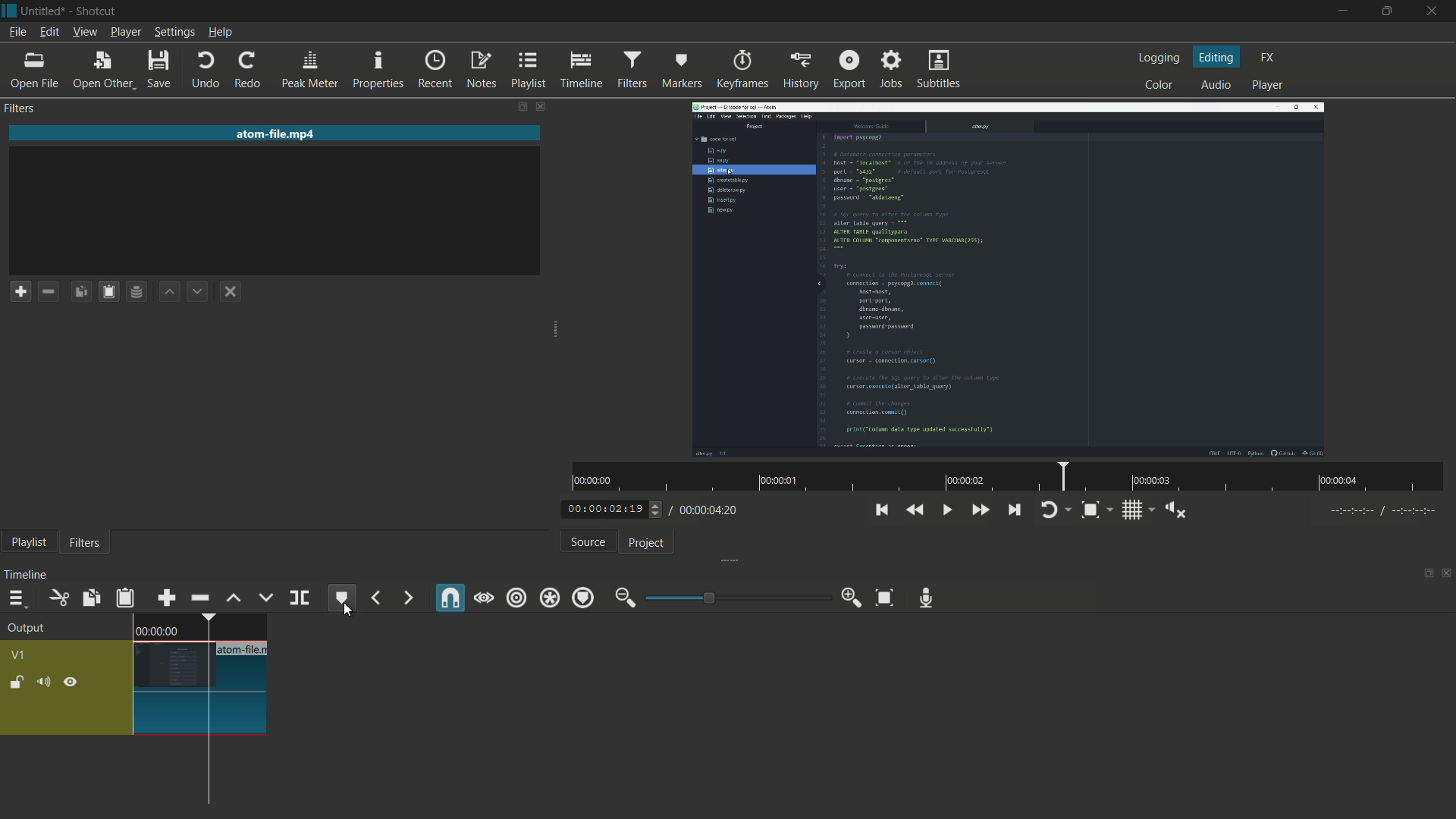  Describe the element at coordinates (451, 597) in the screenshot. I see `snap` at that location.